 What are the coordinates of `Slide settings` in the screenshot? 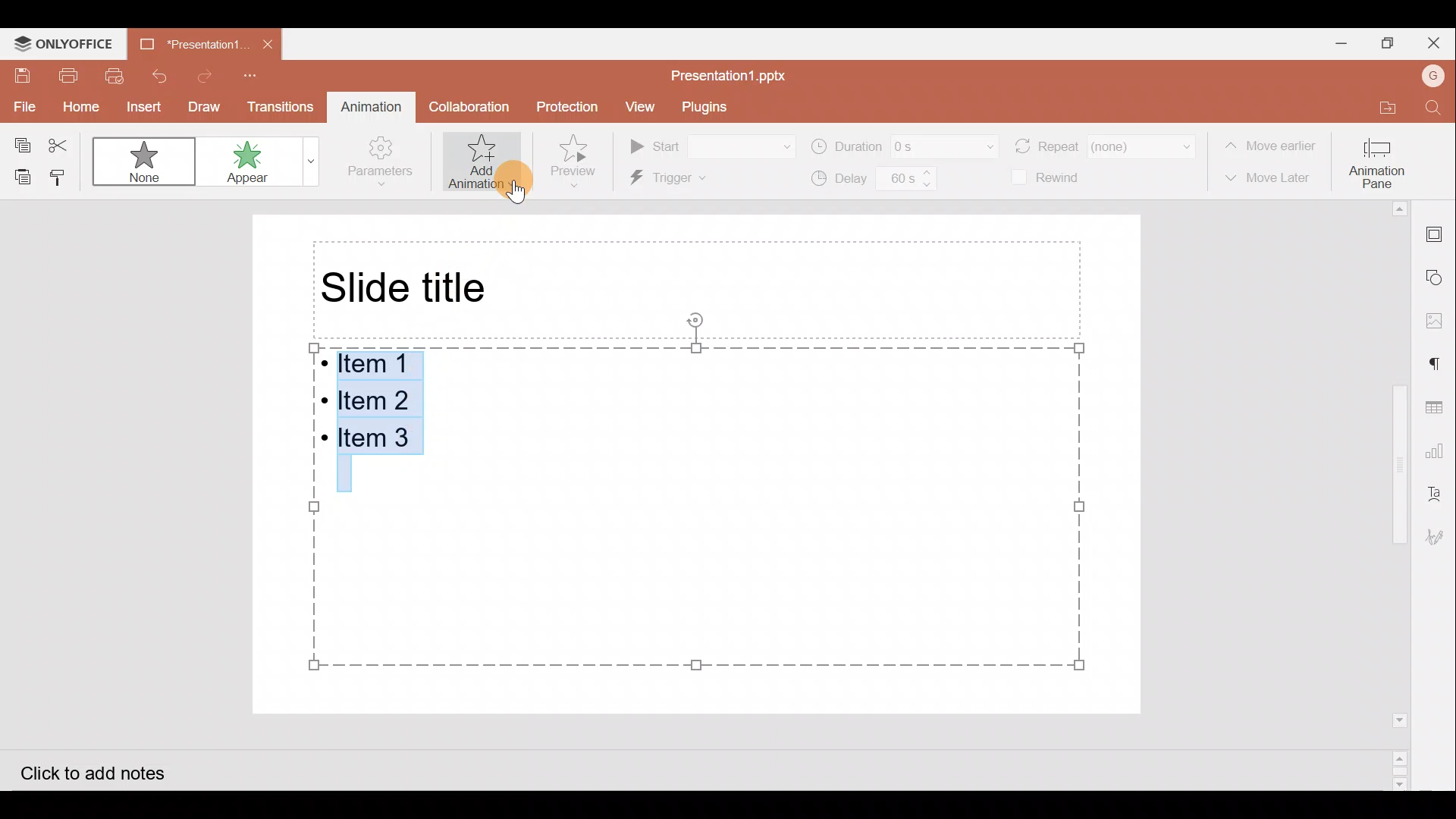 It's located at (1442, 237).